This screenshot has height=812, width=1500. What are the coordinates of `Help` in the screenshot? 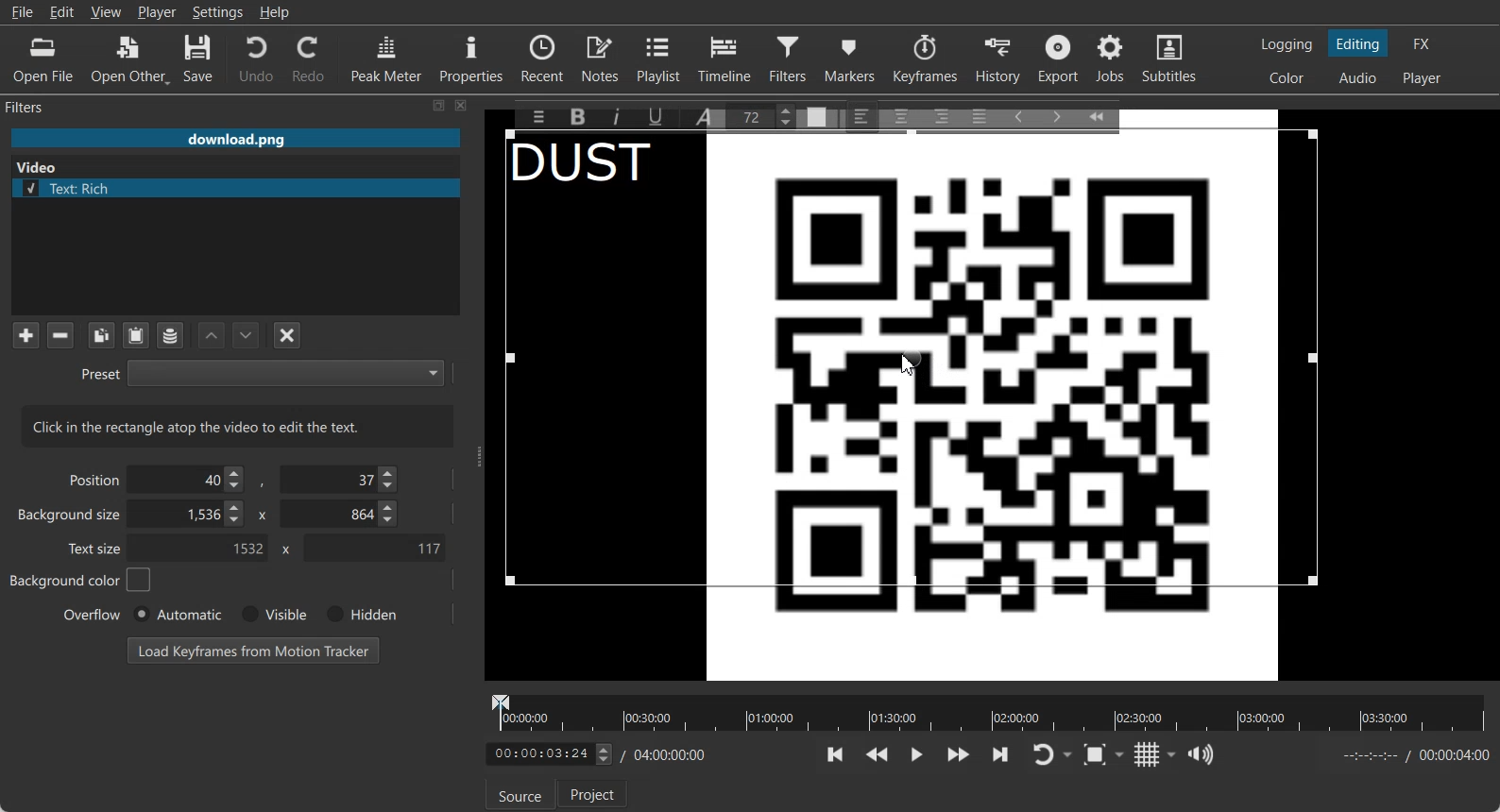 It's located at (275, 12).